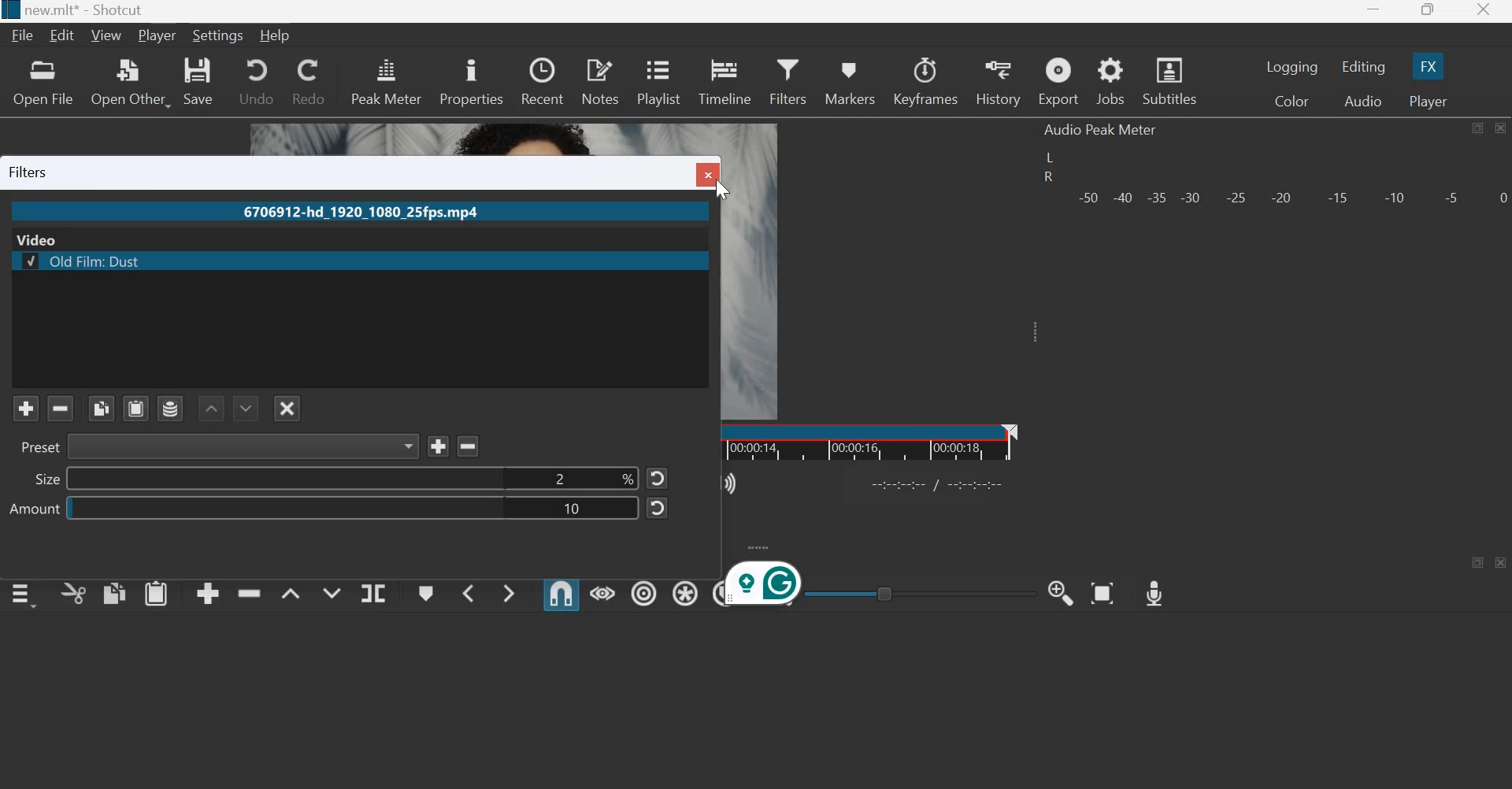  What do you see at coordinates (509, 591) in the screenshot?
I see `Next Marker` at bounding box center [509, 591].